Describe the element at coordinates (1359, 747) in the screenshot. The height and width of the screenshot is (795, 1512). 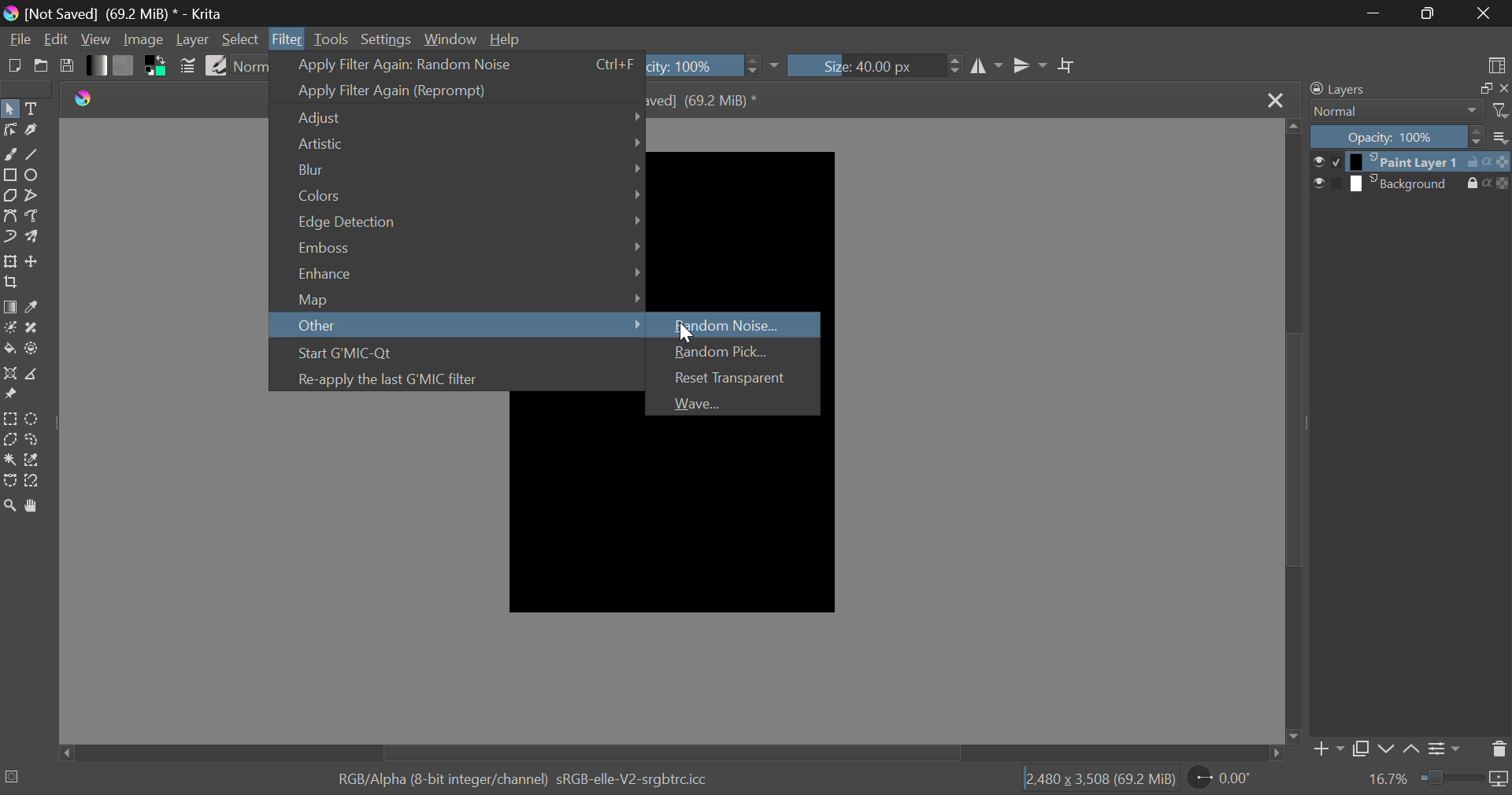
I see `Copy Layer` at that location.